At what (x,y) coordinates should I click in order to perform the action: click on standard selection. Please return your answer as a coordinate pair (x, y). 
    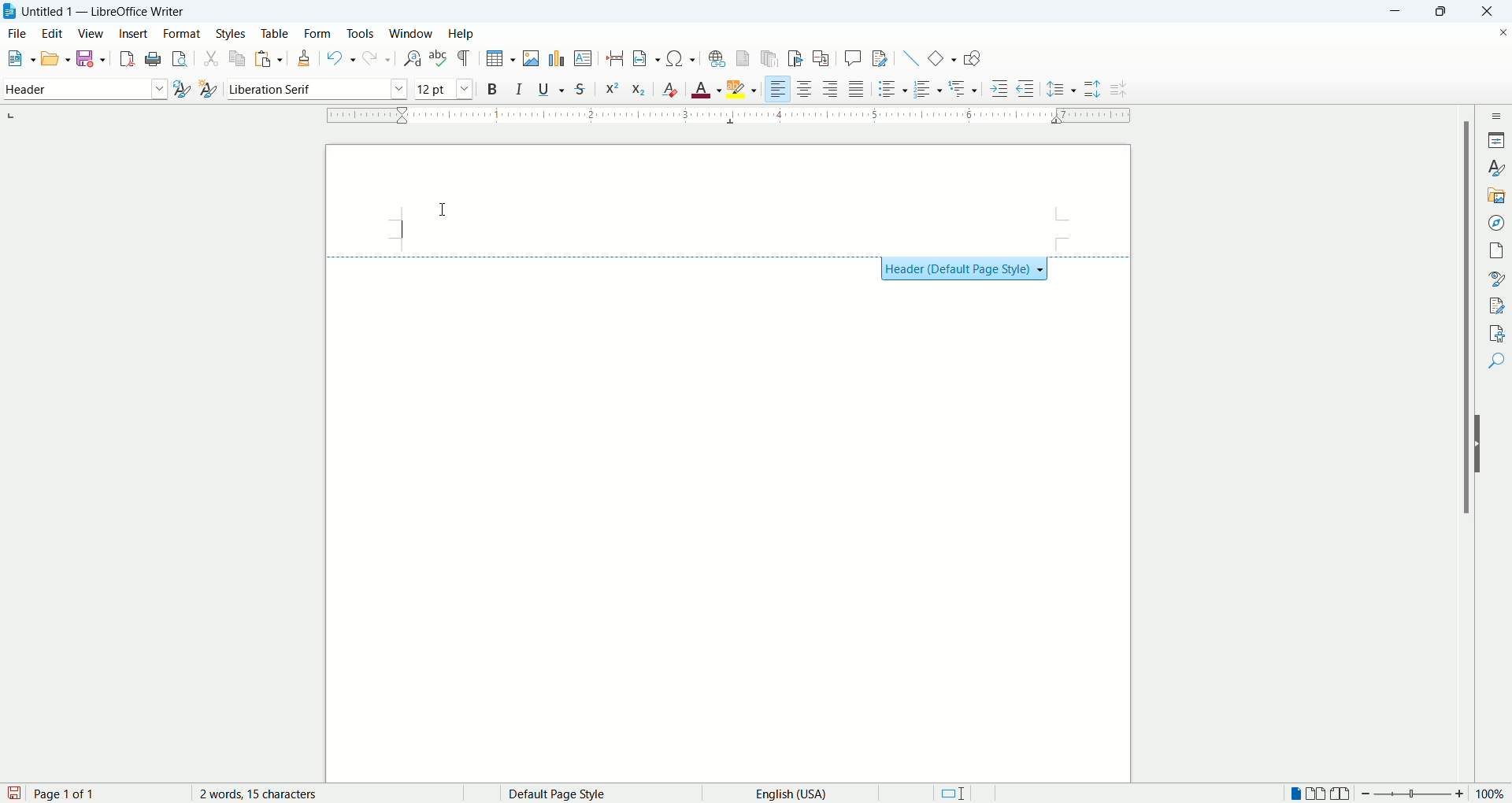
    Looking at the image, I should click on (952, 793).